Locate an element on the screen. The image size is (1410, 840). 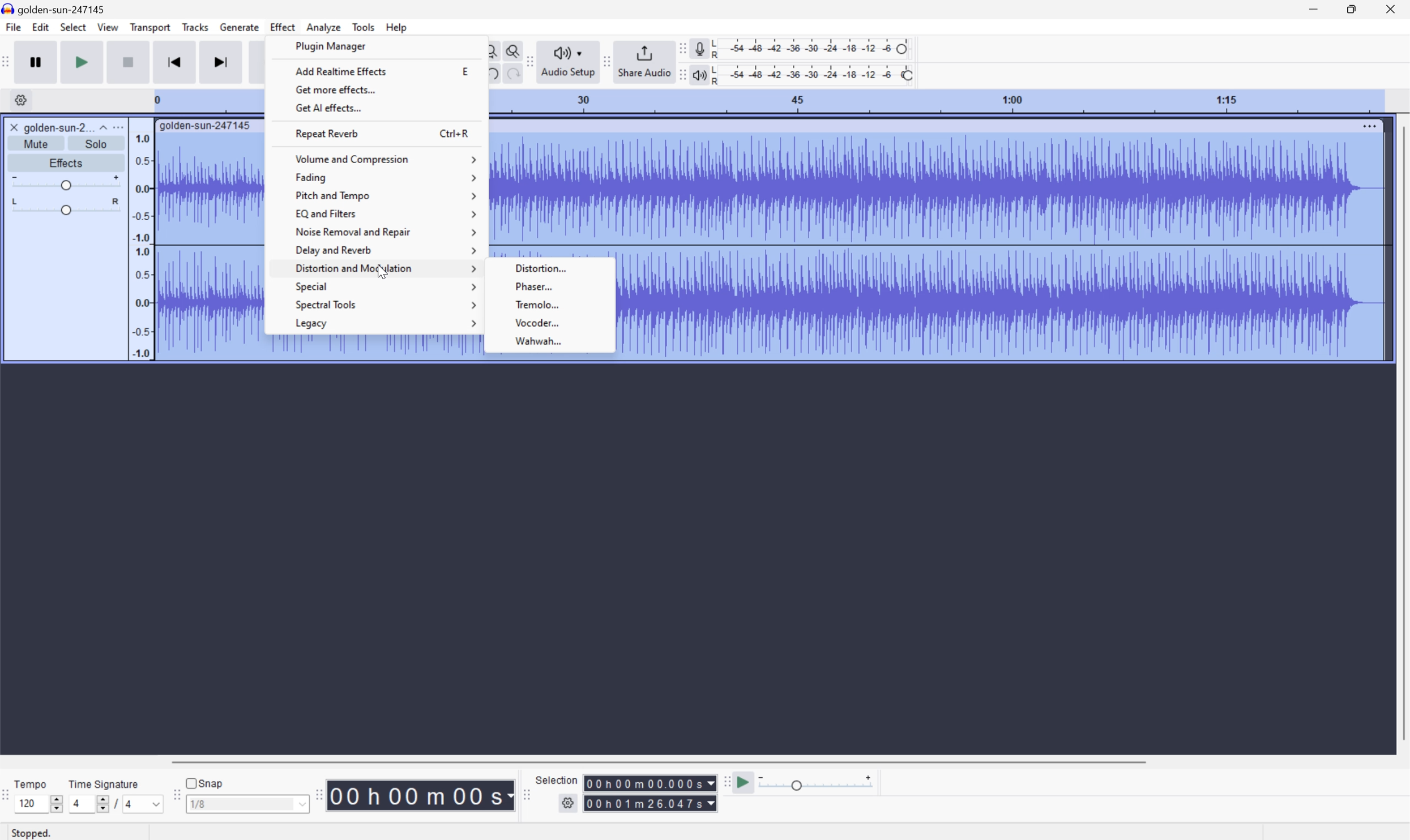
Plugin Manager is located at coordinates (331, 46).